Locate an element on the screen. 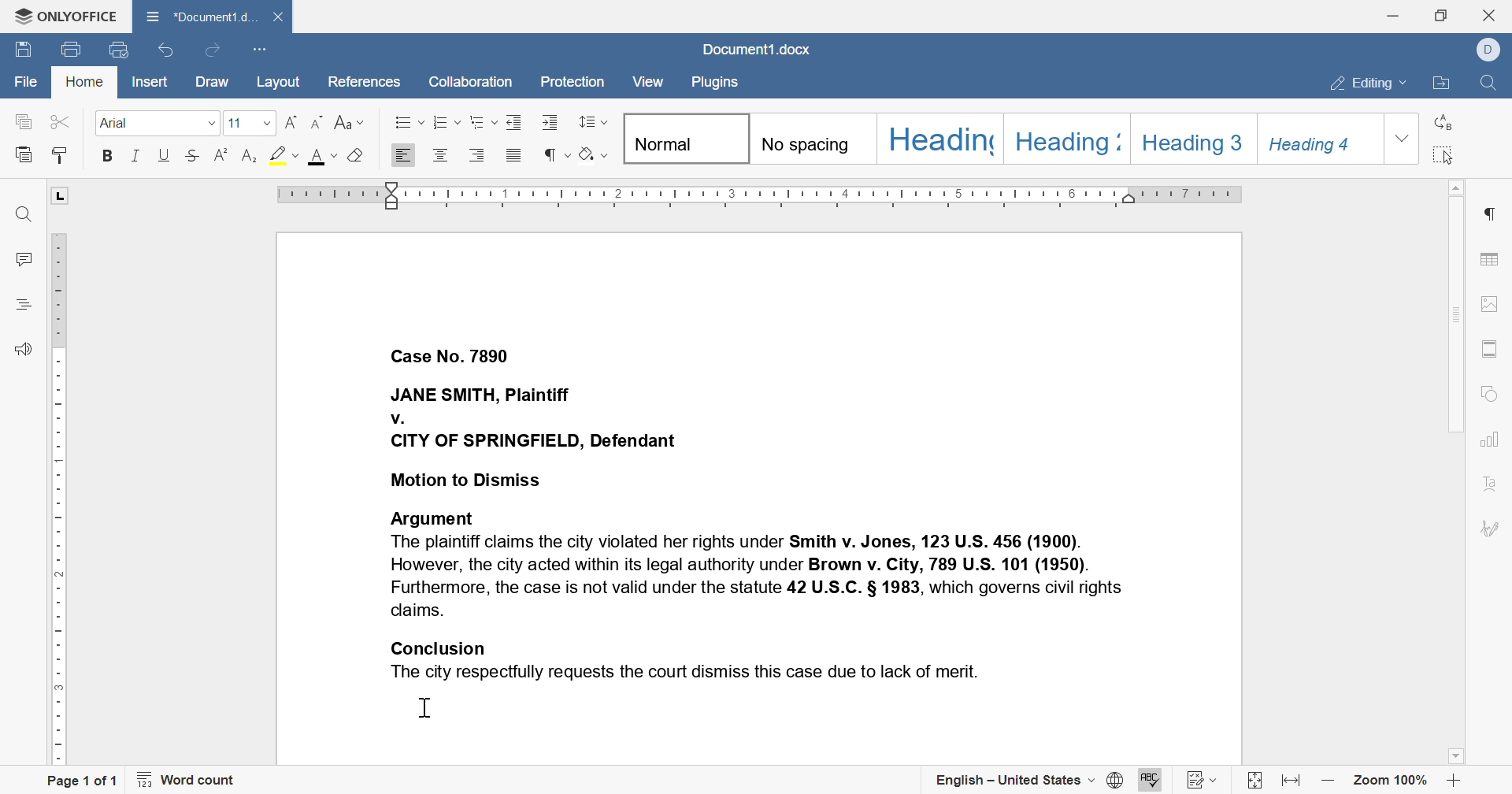 Image resolution: width=1512 pixels, height=794 pixels. highlight color is located at coordinates (280, 152).